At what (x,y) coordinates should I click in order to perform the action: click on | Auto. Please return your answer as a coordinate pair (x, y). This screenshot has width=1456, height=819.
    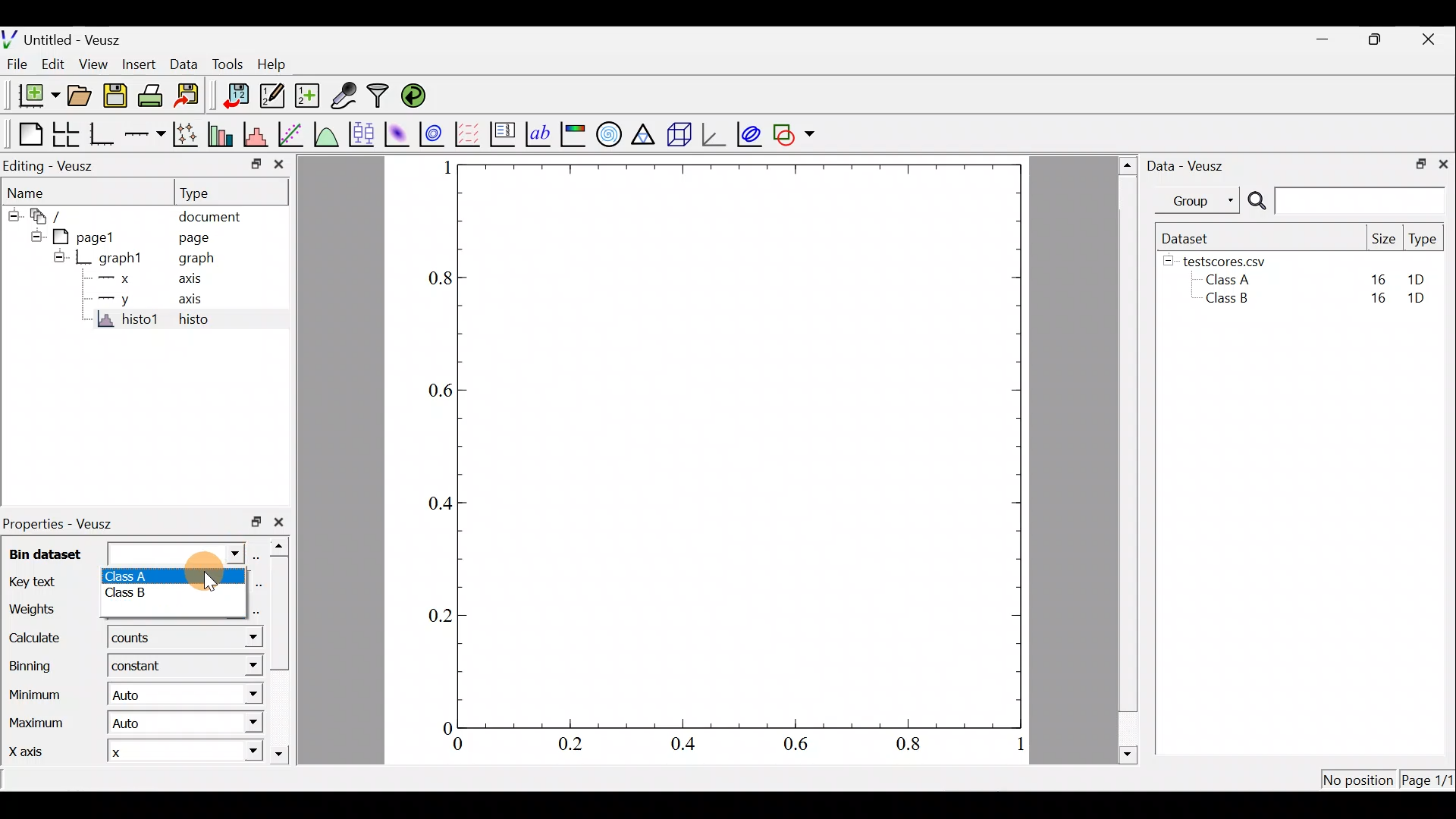
    Looking at the image, I should click on (136, 697).